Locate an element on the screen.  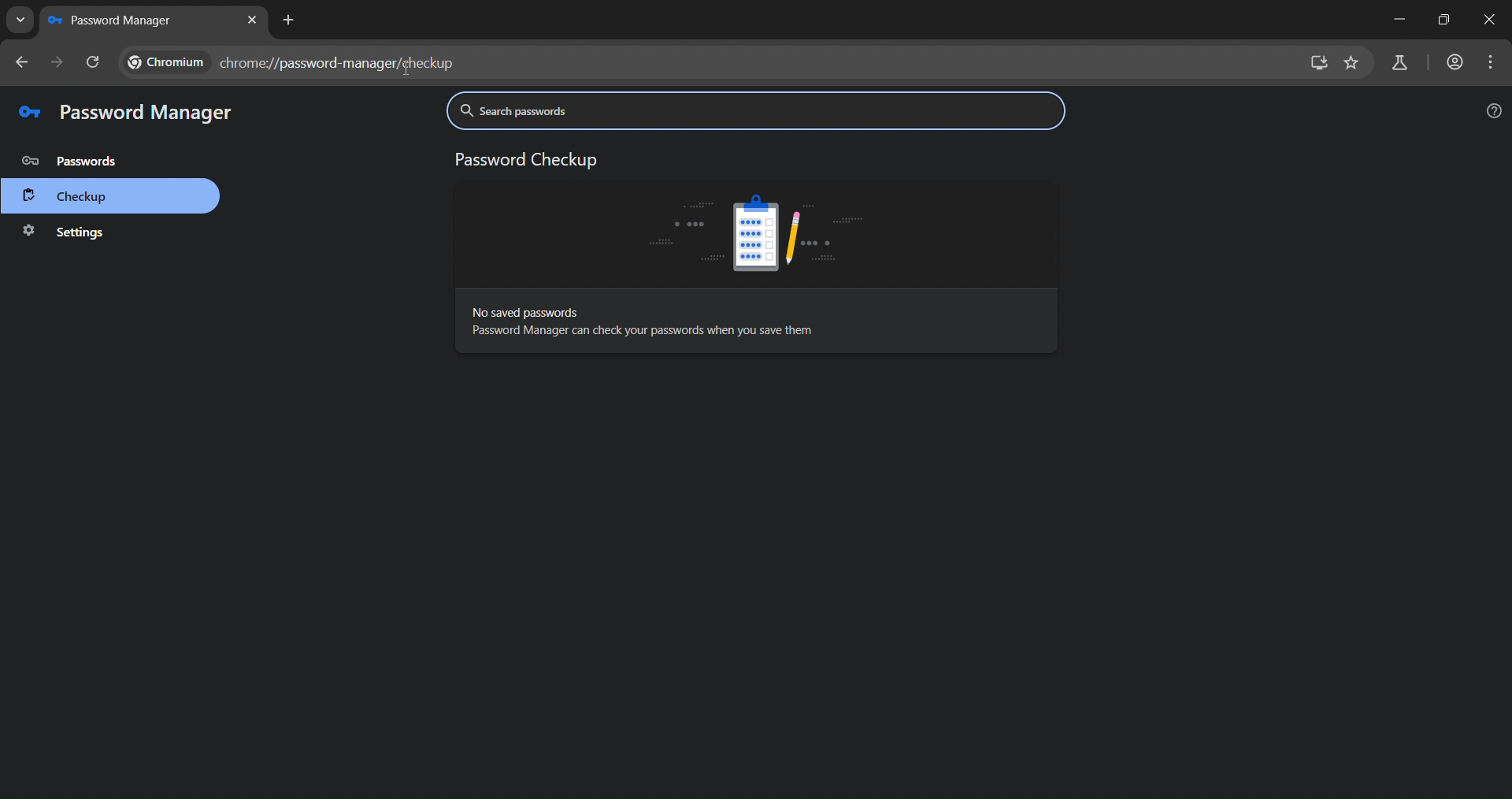
close tab is located at coordinates (254, 20).